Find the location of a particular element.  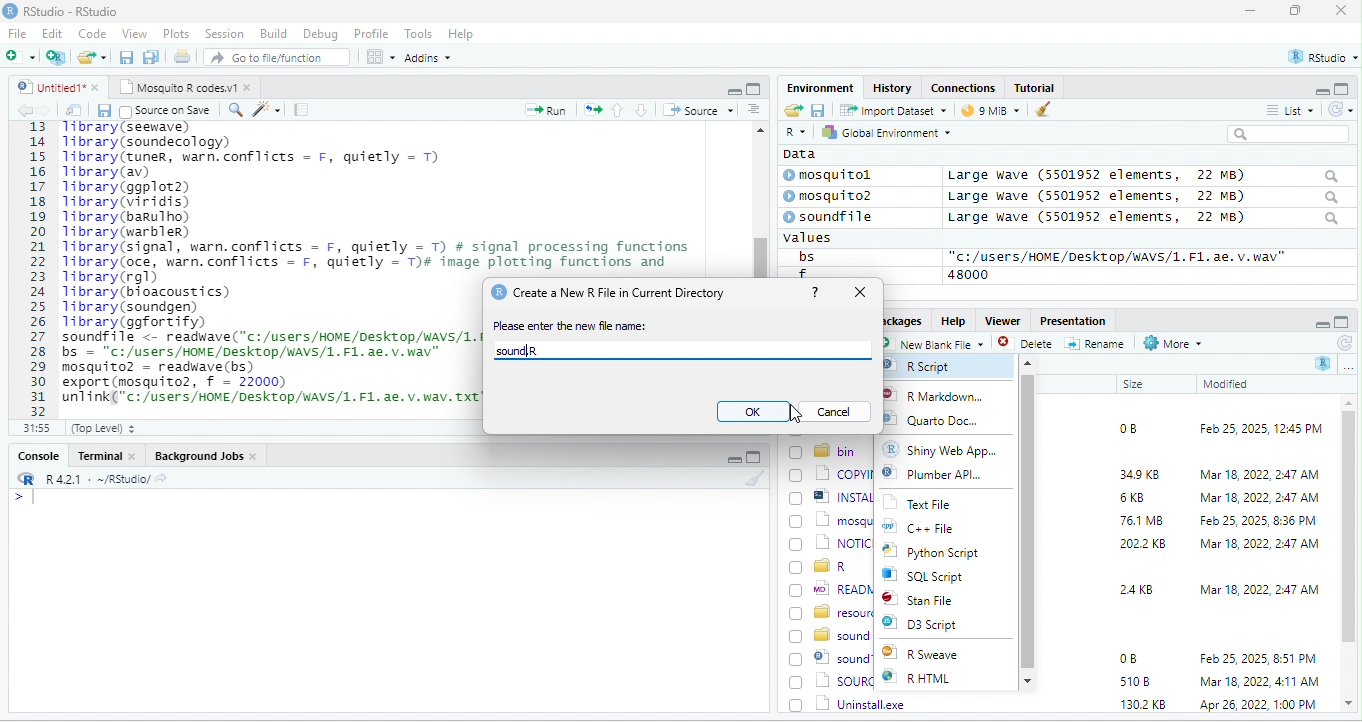

close is located at coordinates (863, 293).